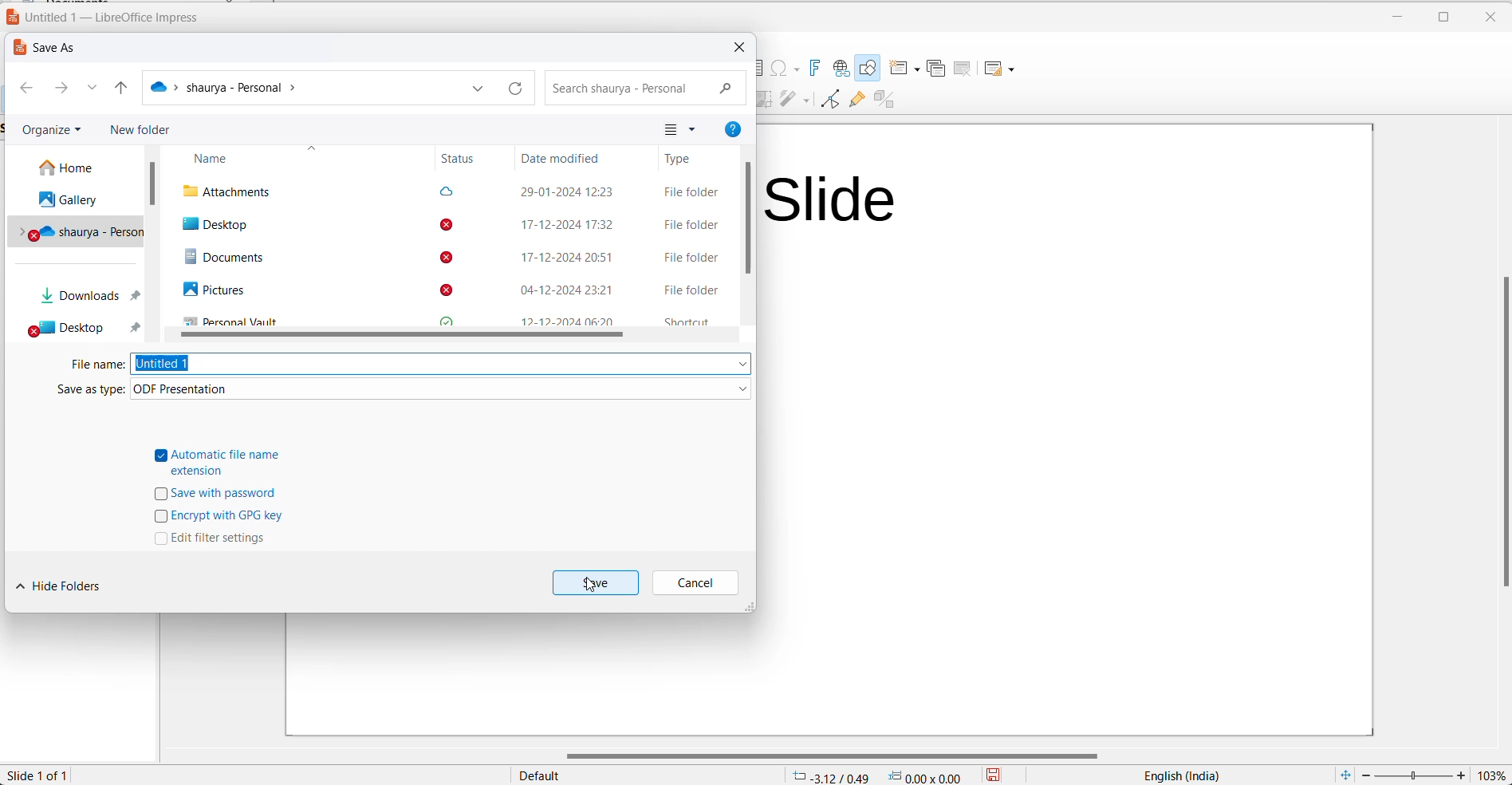 This screenshot has width=1512, height=785. Describe the element at coordinates (647, 89) in the screenshot. I see `search bar input bar` at that location.